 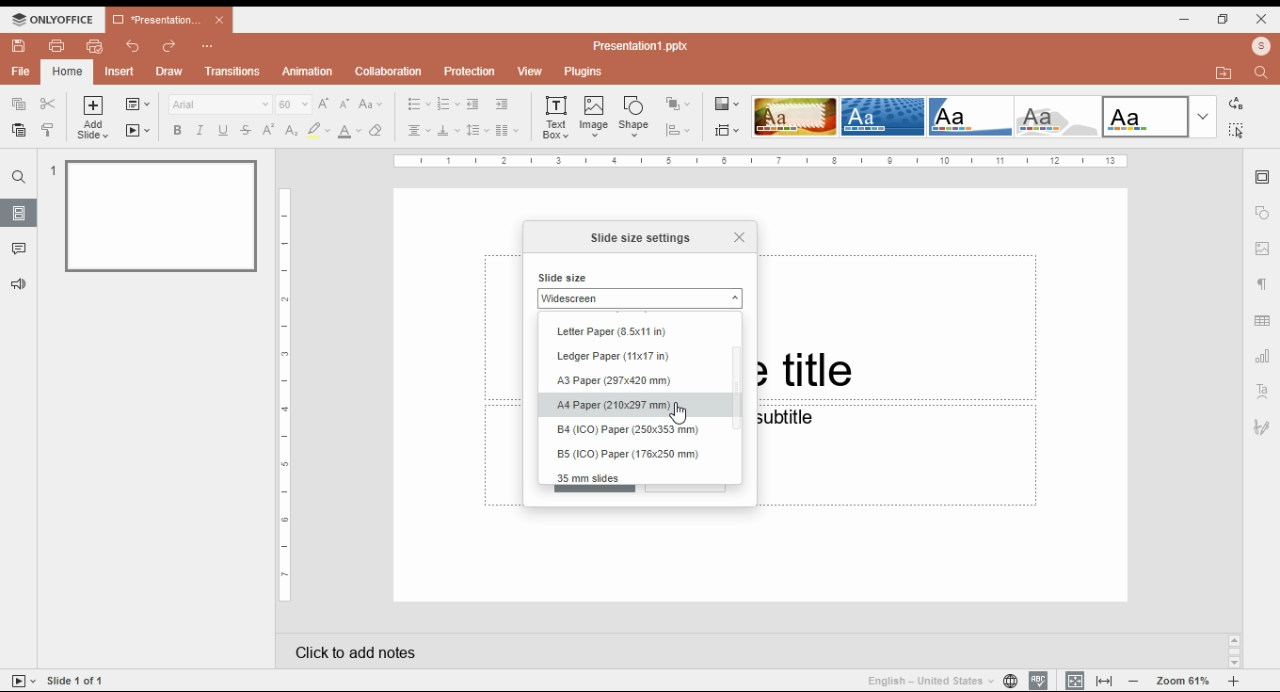 I want to click on numbering, so click(x=448, y=105).